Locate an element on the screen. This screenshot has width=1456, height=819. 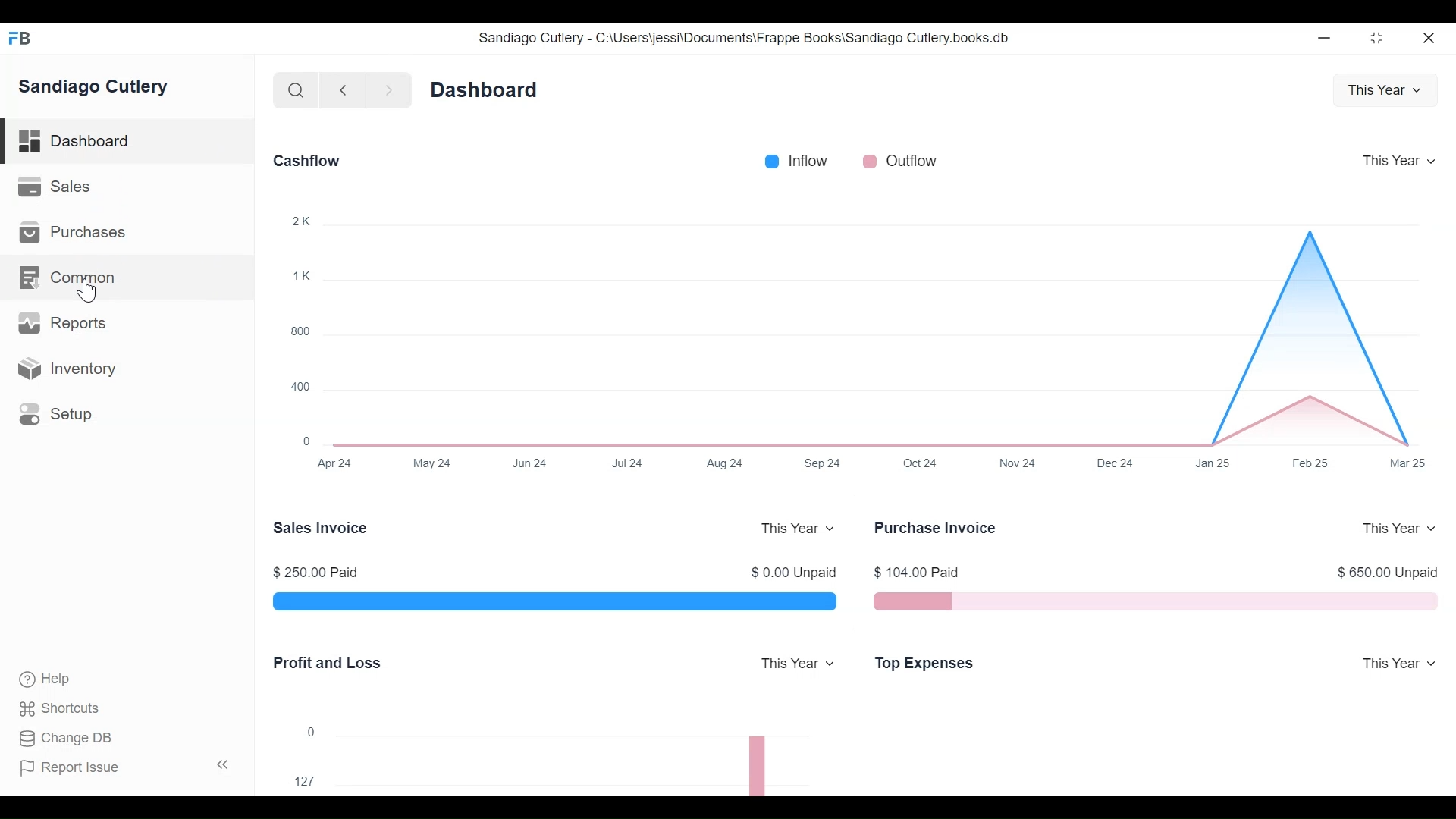
Top Expenses is located at coordinates (930, 664).